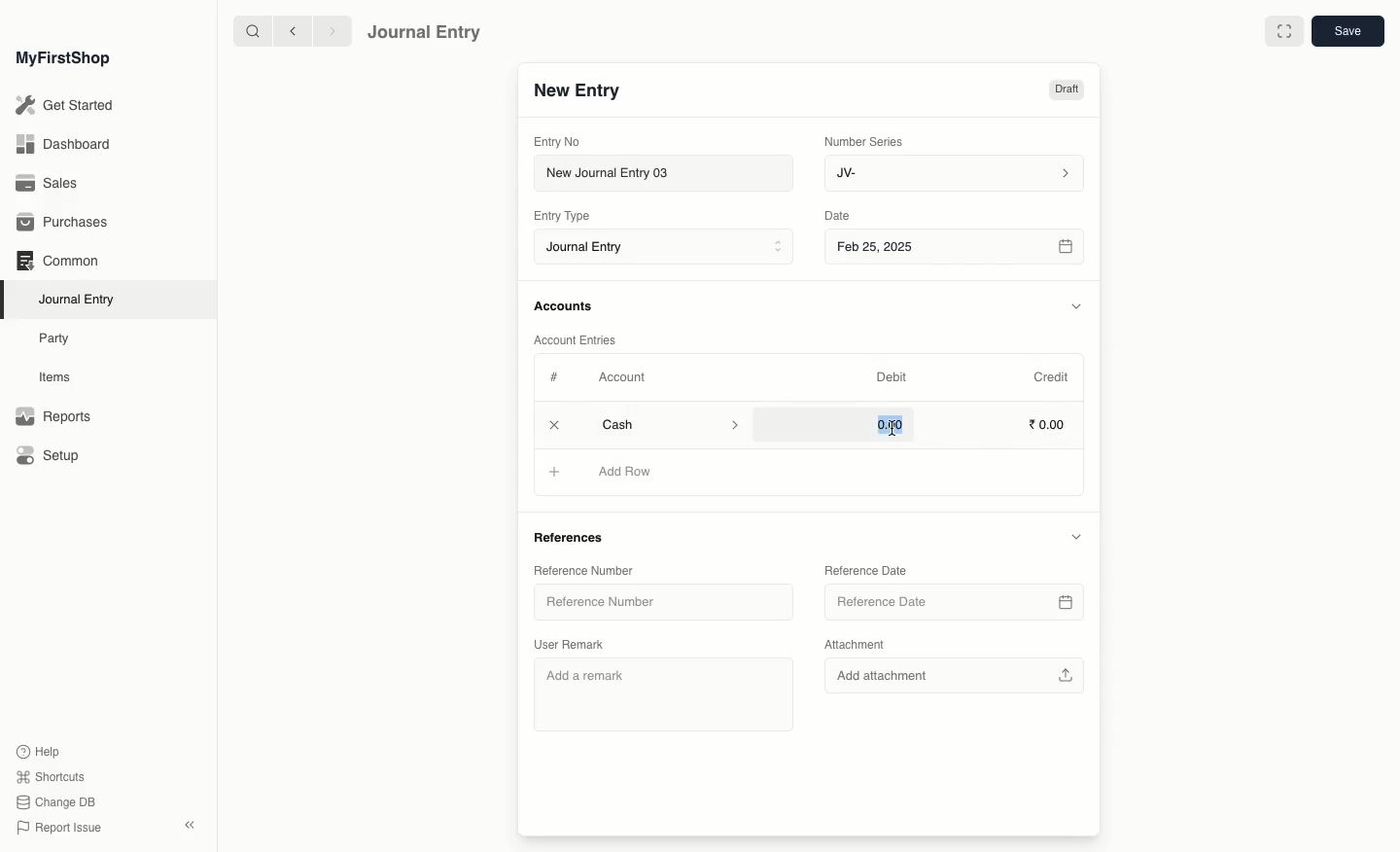 This screenshot has width=1400, height=852. What do you see at coordinates (67, 223) in the screenshot?
I see `Purchases` at bounding box center [67, 223].